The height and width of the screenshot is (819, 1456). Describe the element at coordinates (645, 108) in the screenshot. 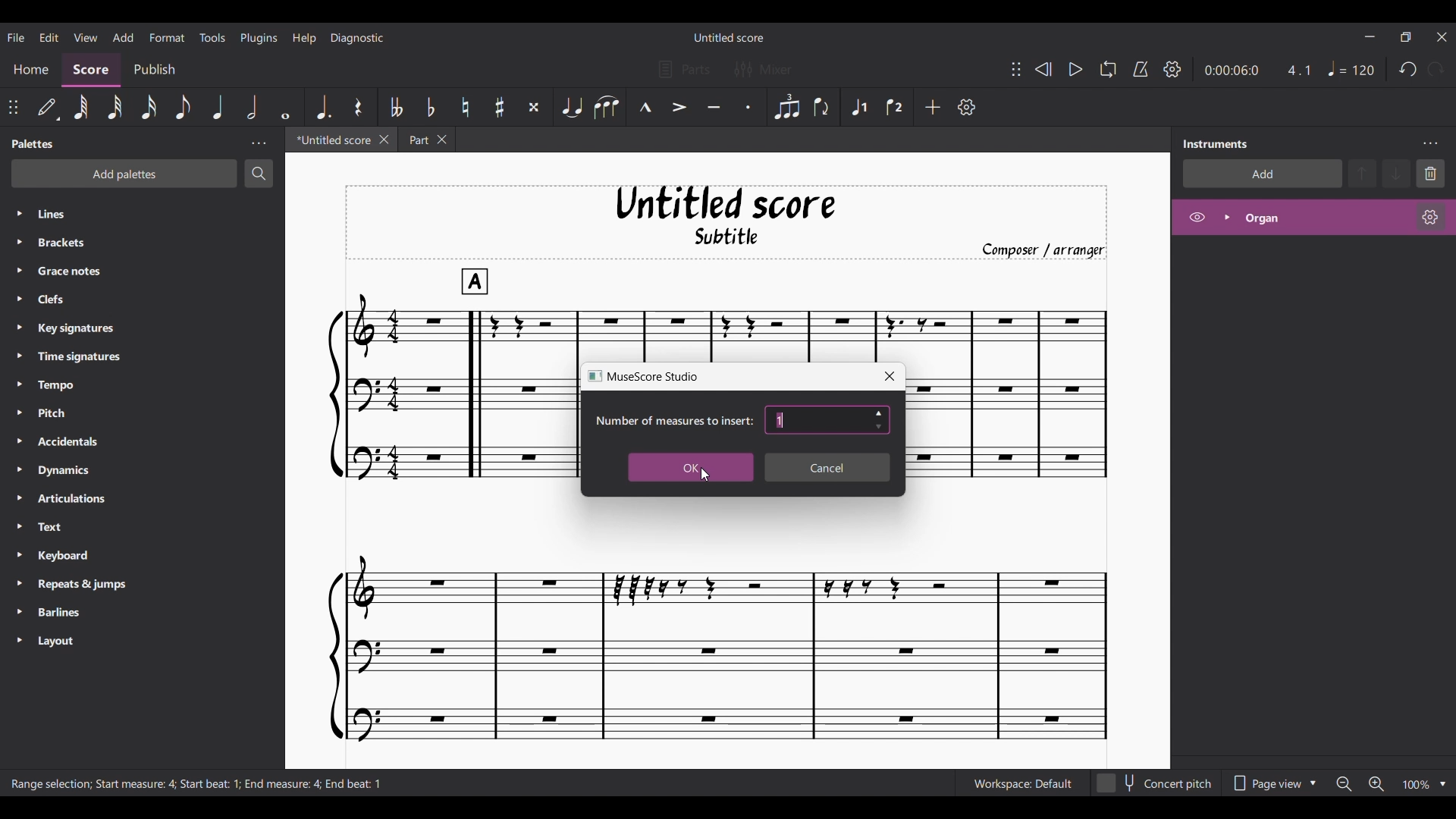

I see `Marcato` at that location.